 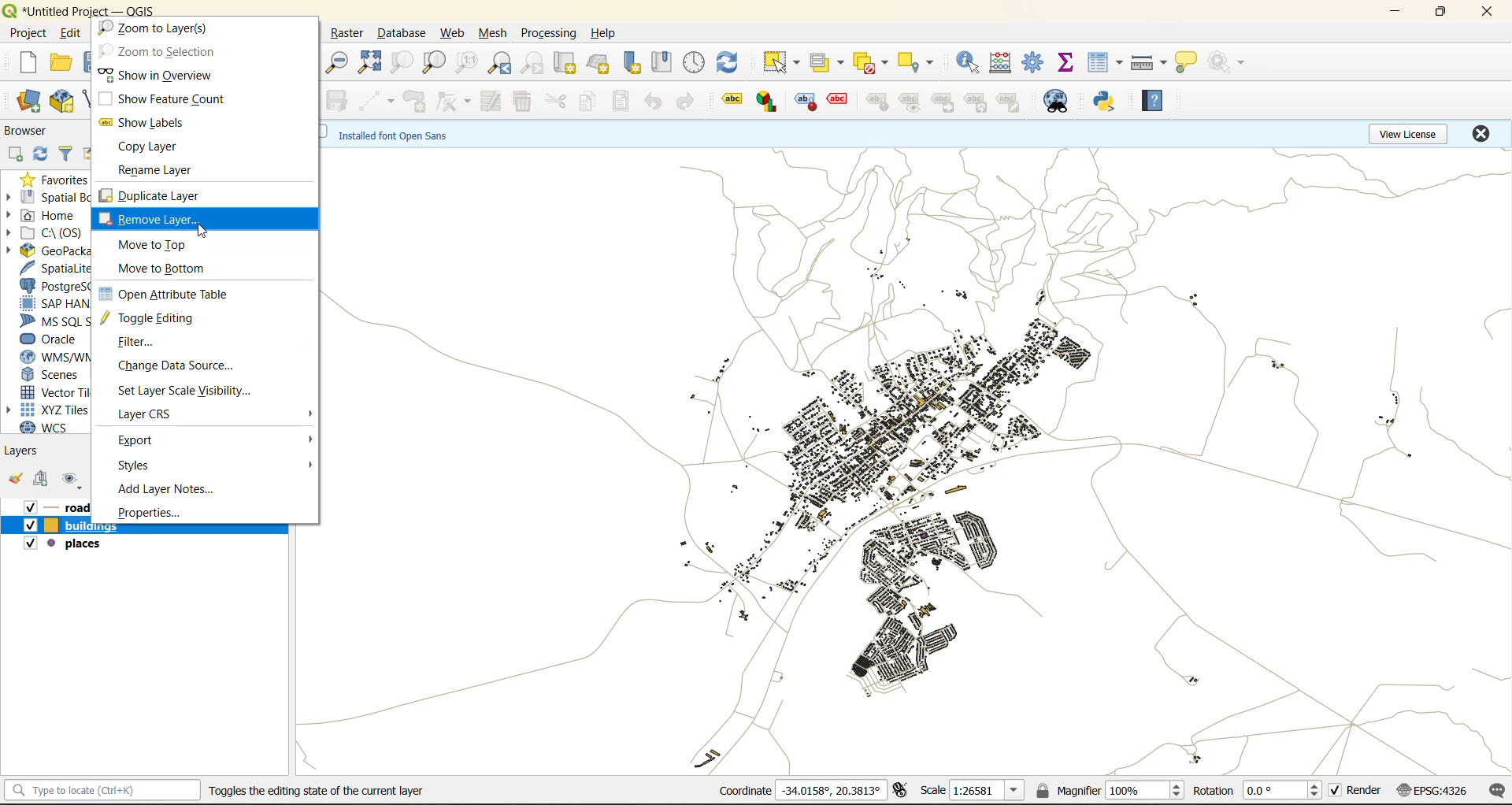 What do you see at coordinates (80, 12) in the screenshot?
I see `file name and app name` at bounding box center [80, 12].